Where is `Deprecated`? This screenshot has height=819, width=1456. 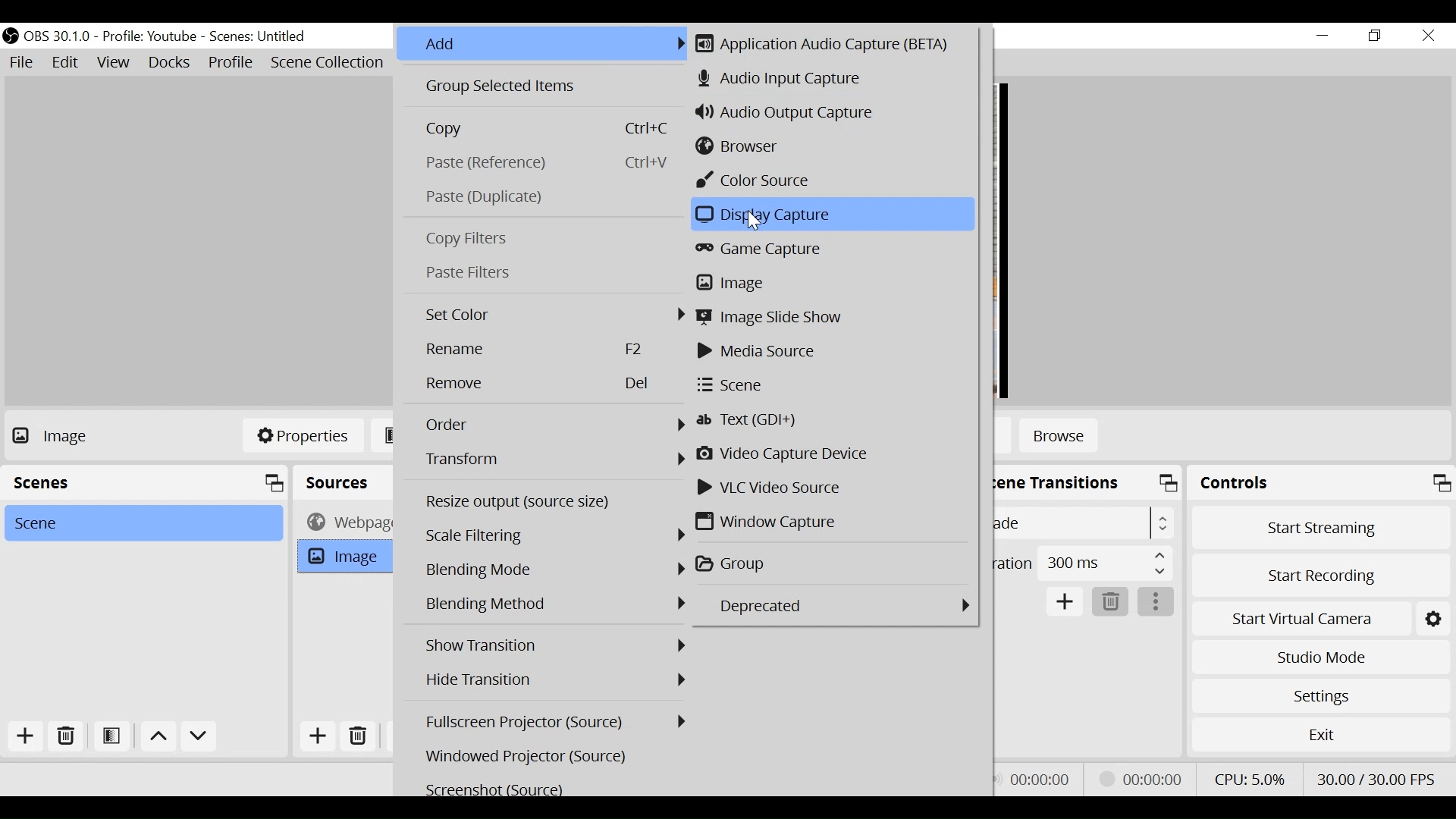 Deprecated is located at coordinates (831, 605).